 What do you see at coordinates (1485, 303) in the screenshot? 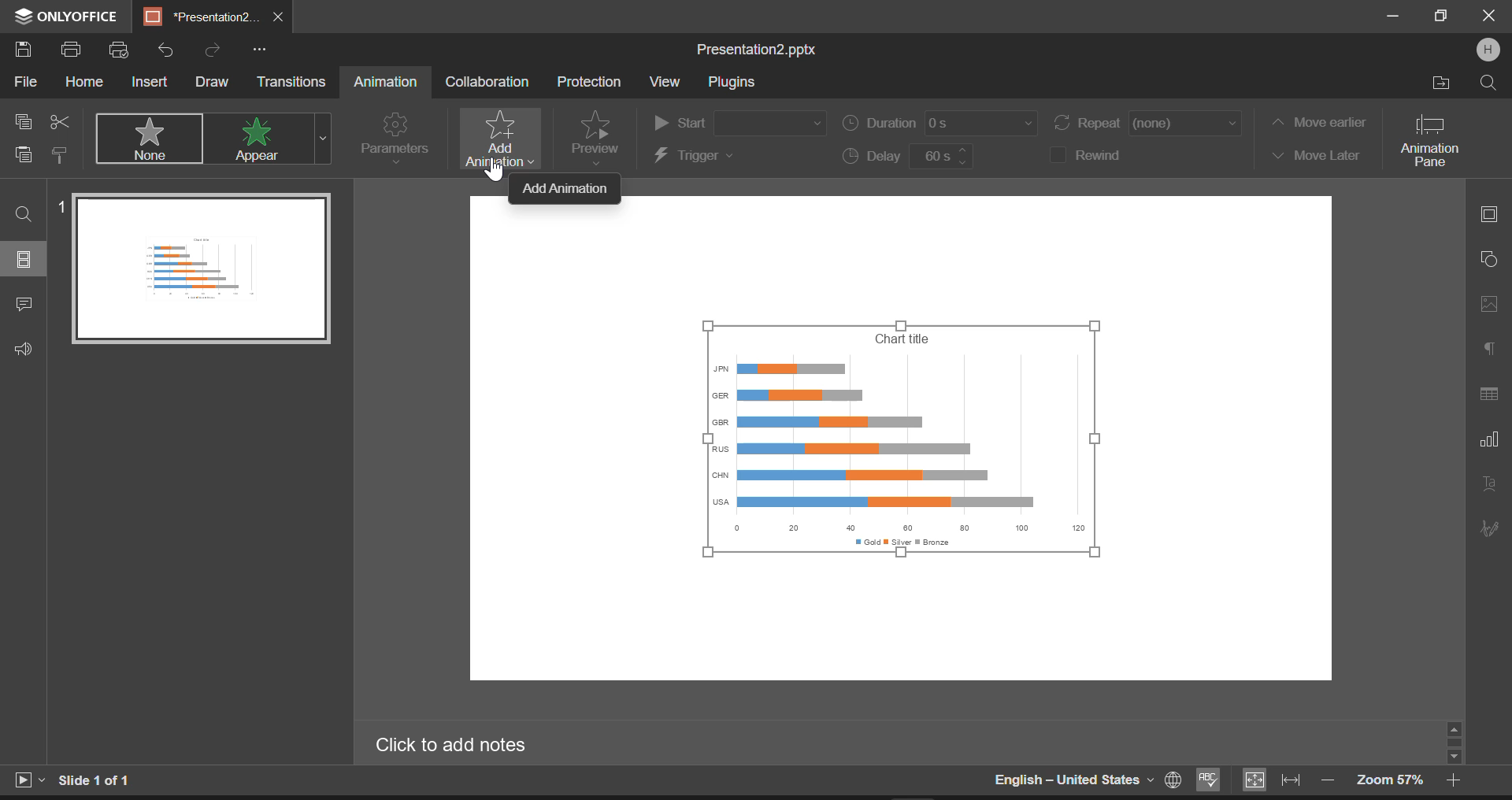
I see `Picture Settings` at bounding box center [1485, 303].